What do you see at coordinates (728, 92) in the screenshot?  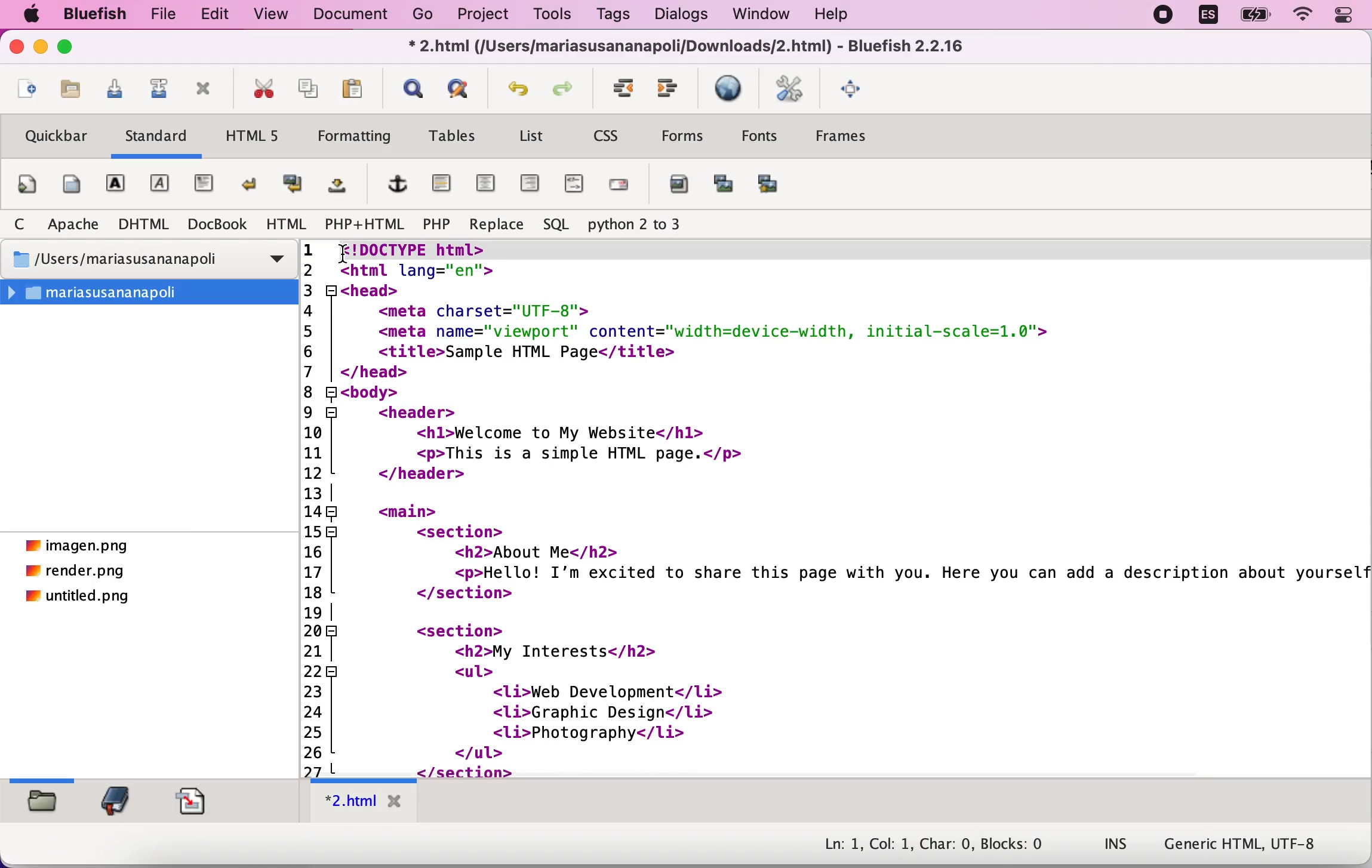 I see `preview in browser` at bounding box center [728, 92].